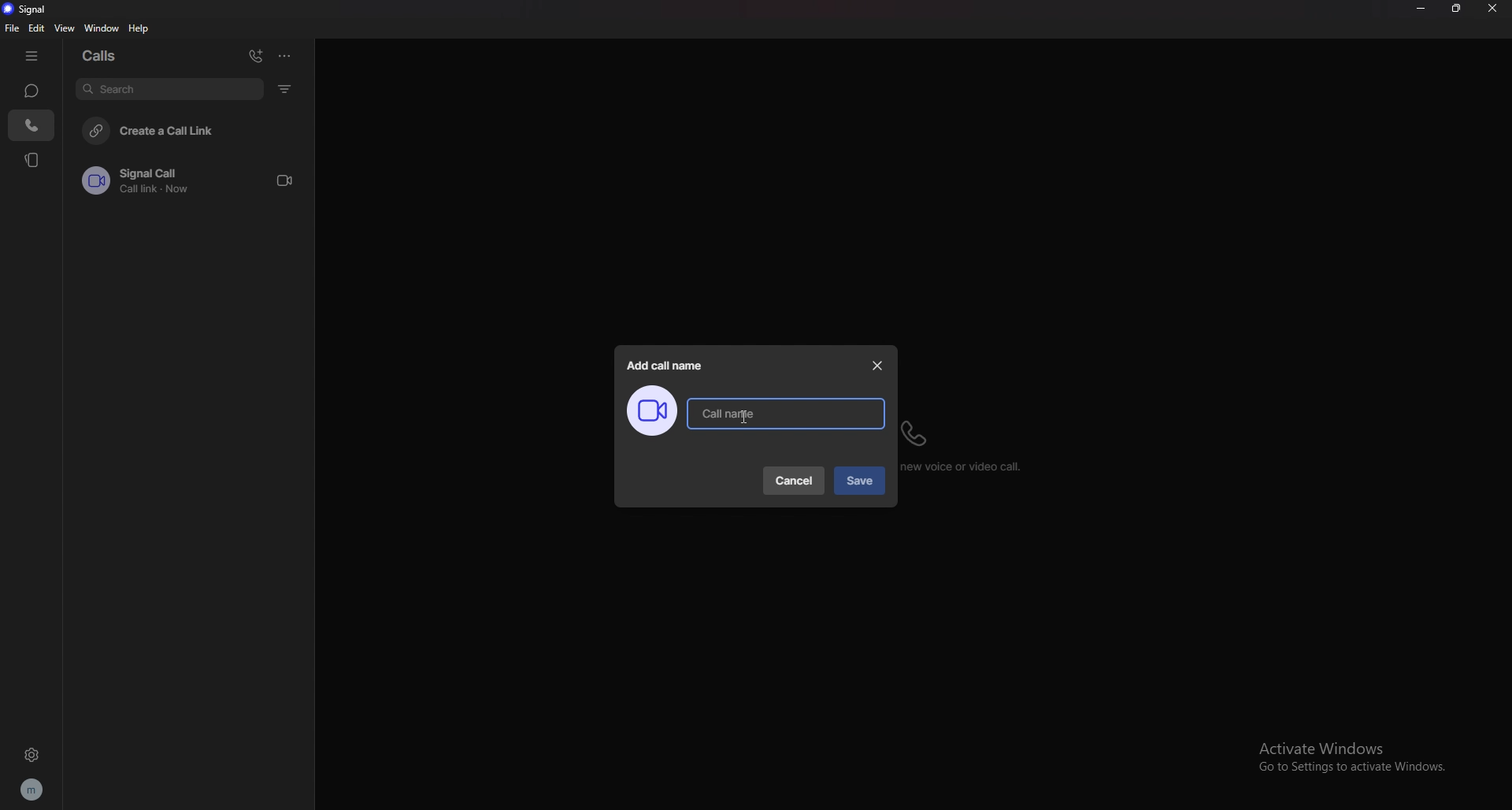 The image size is (1512, 810). I want to click on minimize, so click(1420, 9).